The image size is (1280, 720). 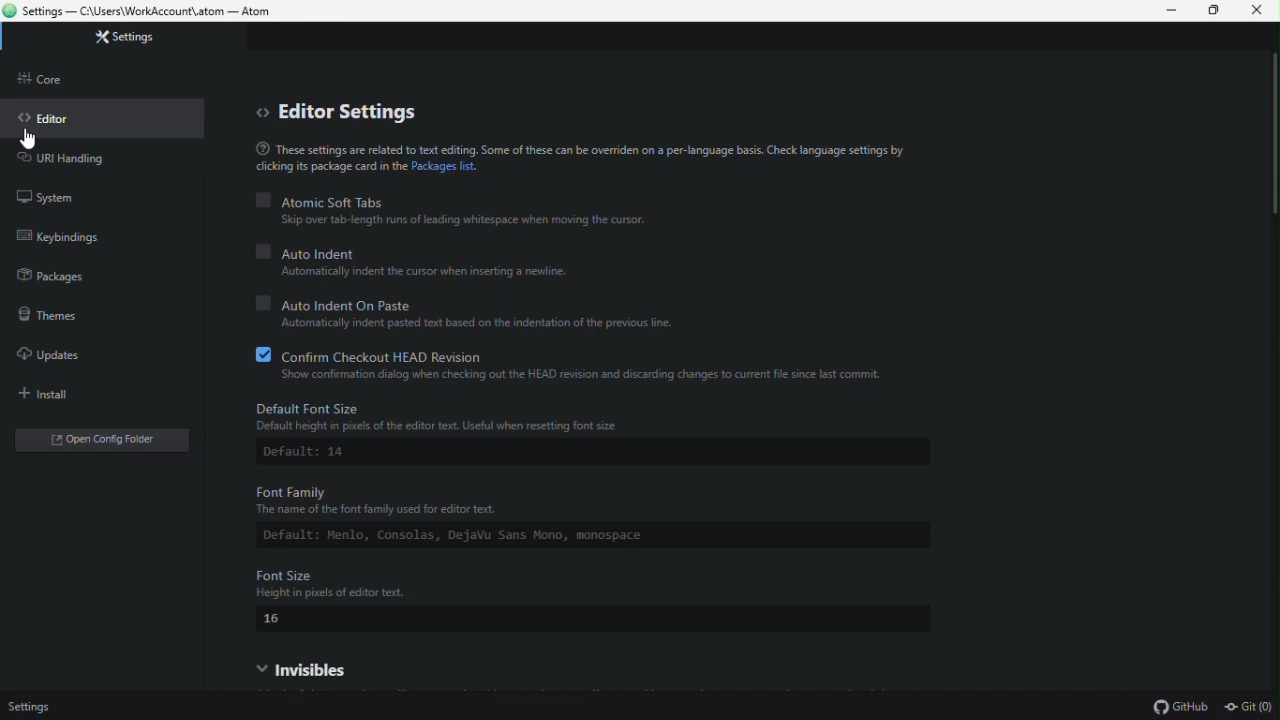 I want to click on  Settings — C:\Users\WorkAccount\.atom — Atom, so click(x=148, y=11).